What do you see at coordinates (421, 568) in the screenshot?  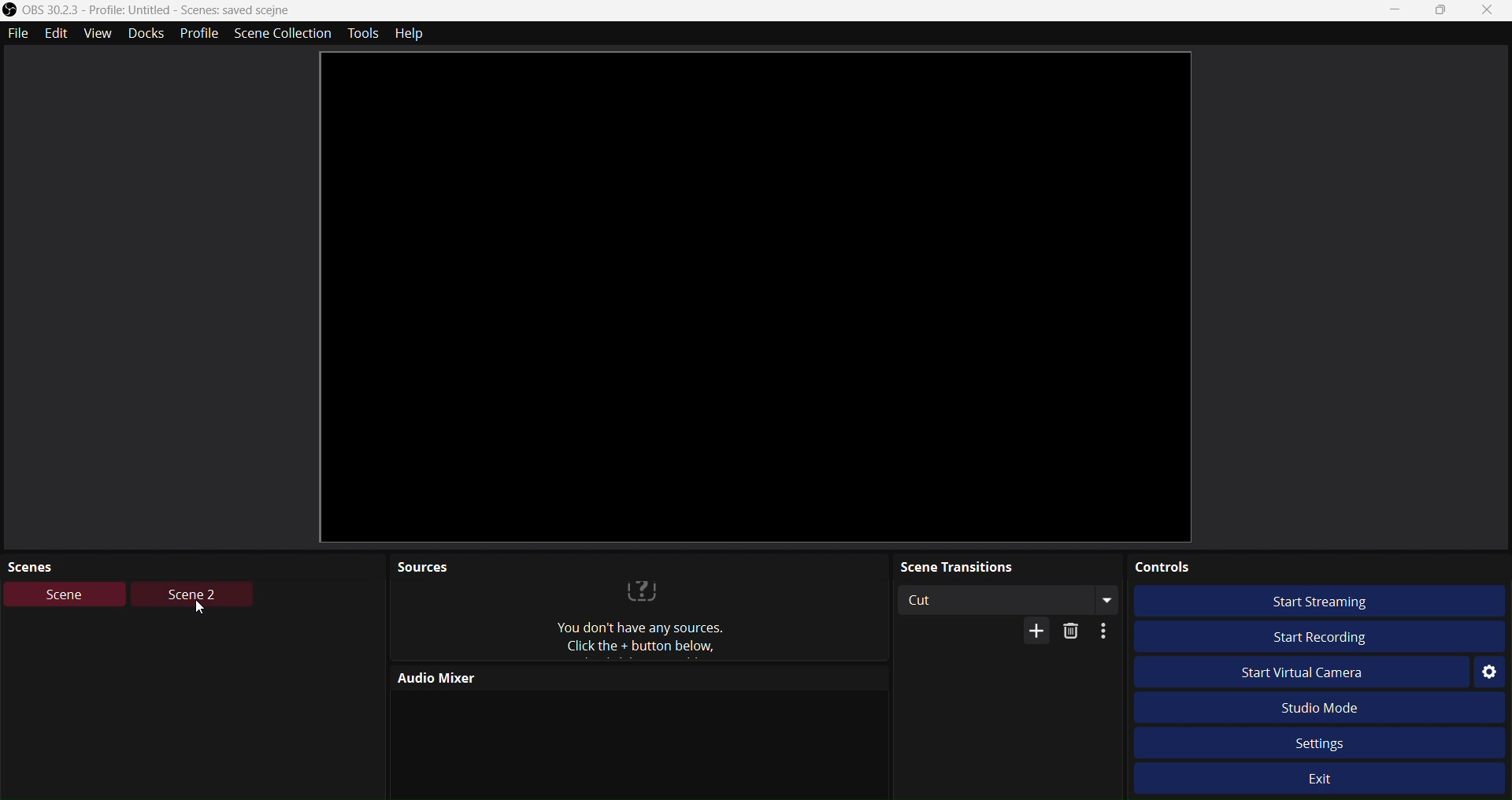 I see `Sources` at bounding box center [421, 568].